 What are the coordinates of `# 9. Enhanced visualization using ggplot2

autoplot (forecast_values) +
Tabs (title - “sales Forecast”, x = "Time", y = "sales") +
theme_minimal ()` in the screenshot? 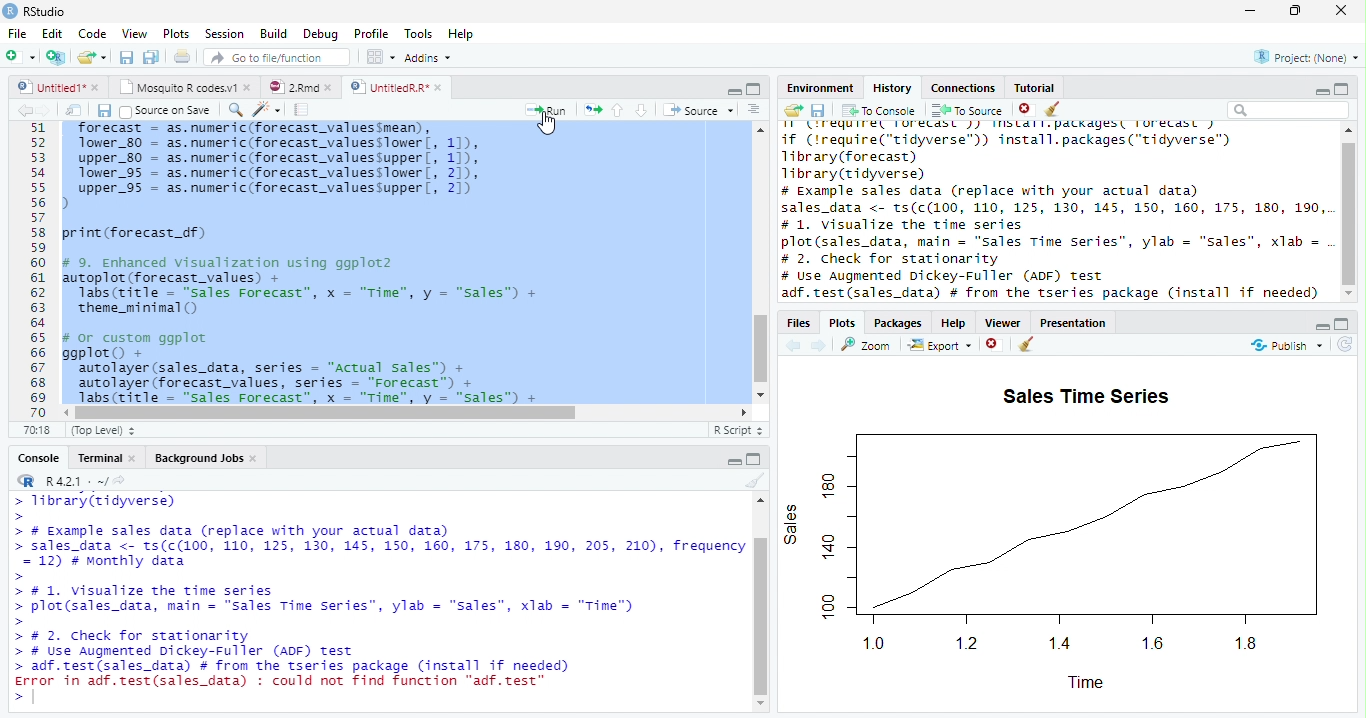 It's located at (308, 287).